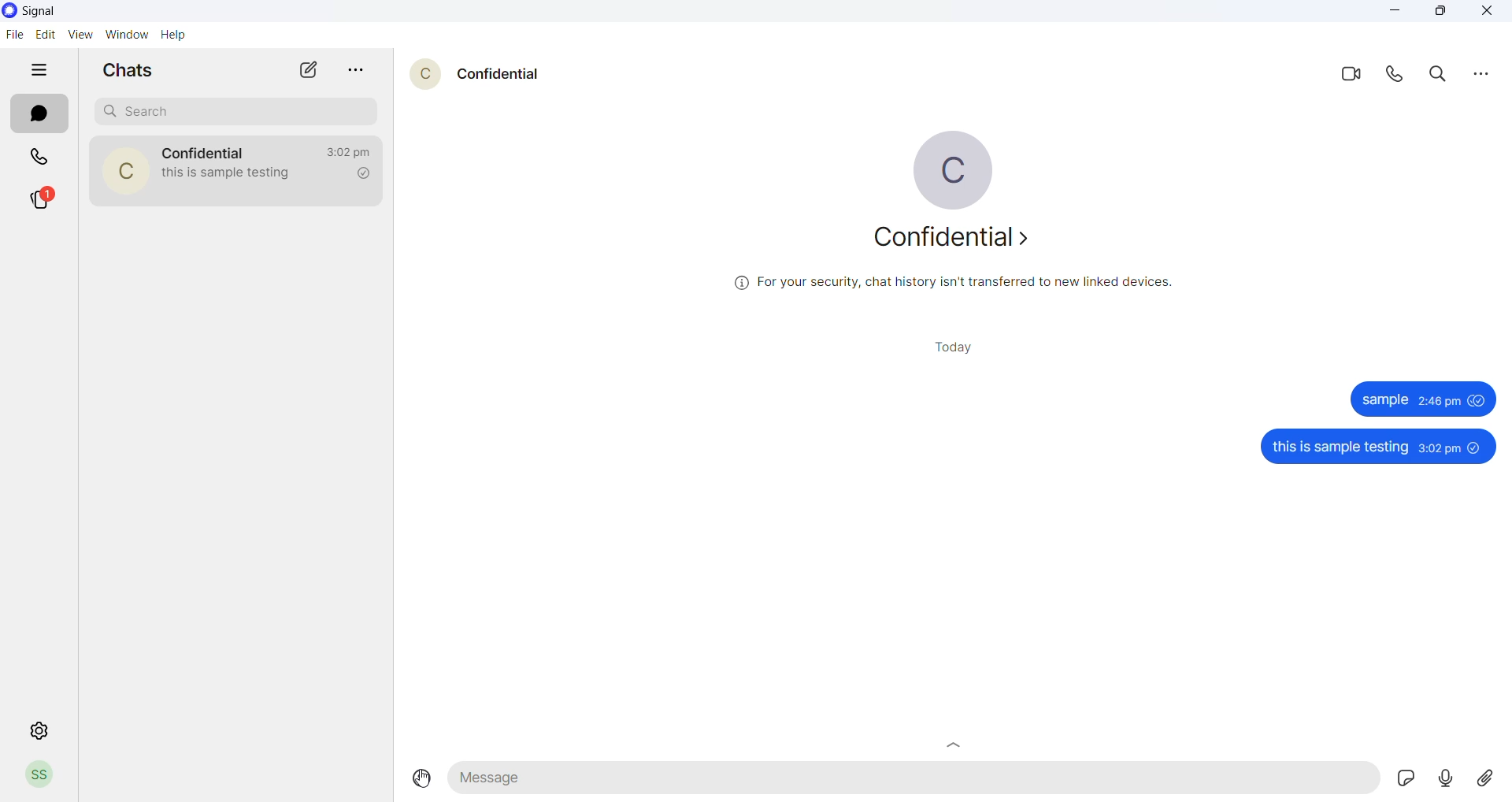  I want to click on more options, so click(358, 70).